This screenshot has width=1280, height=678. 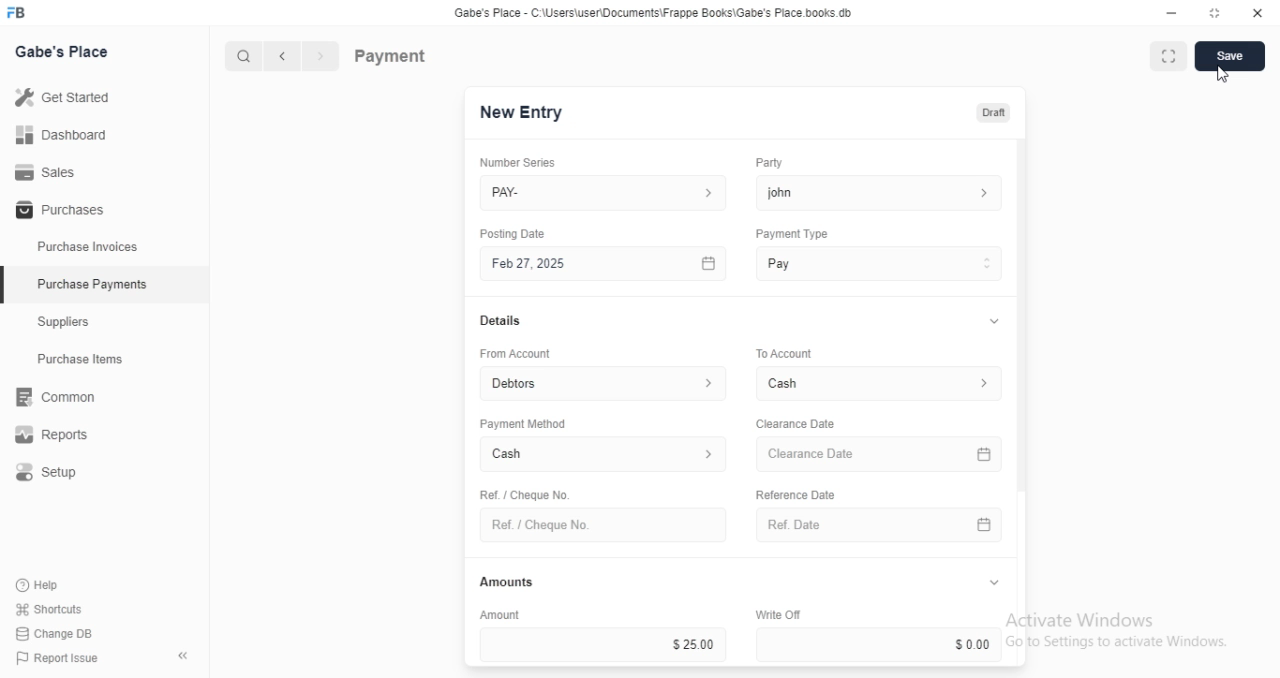 I want to click on Ret. / Cheque No., so click(x=522, y=493).